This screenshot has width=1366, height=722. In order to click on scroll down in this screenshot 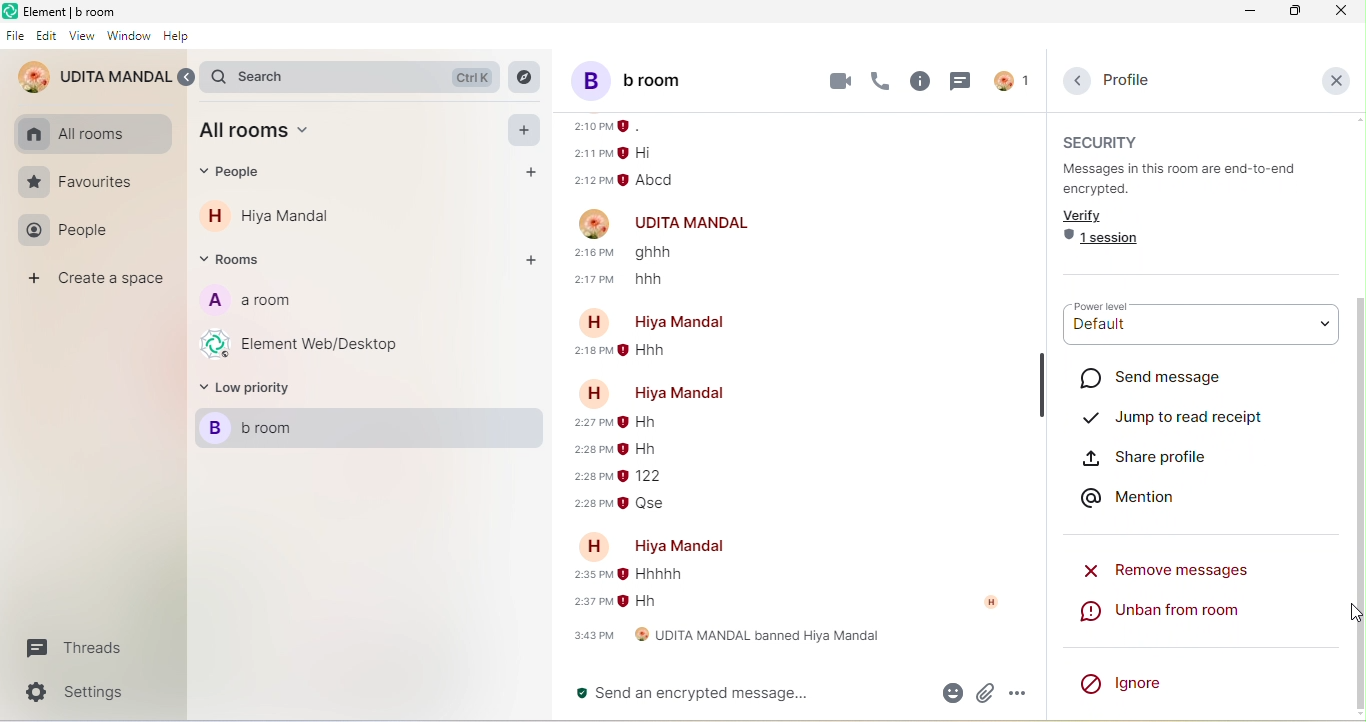, I will do `click(1357, 717)`.